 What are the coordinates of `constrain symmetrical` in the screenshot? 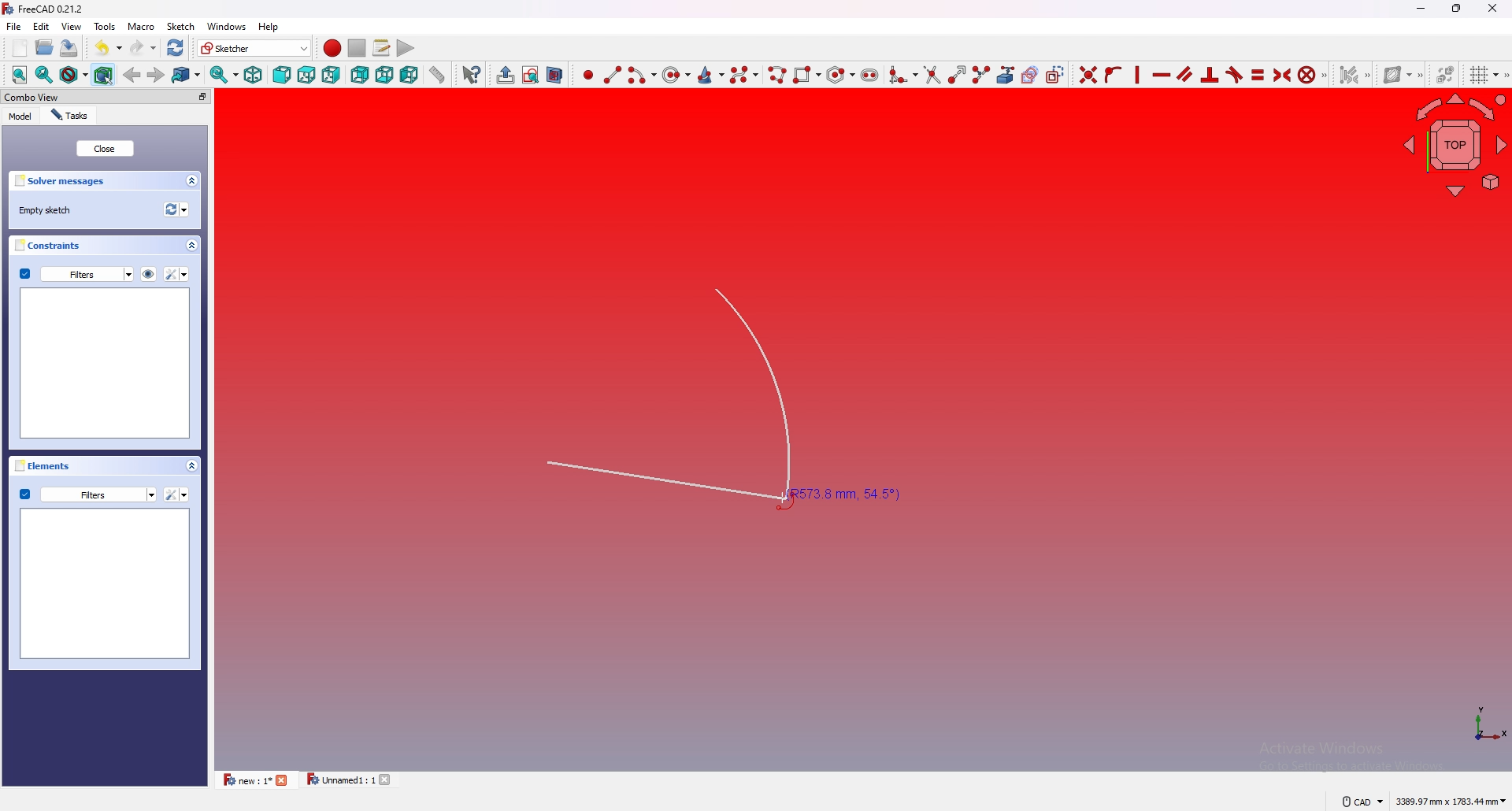 It's located at (1283, 74).